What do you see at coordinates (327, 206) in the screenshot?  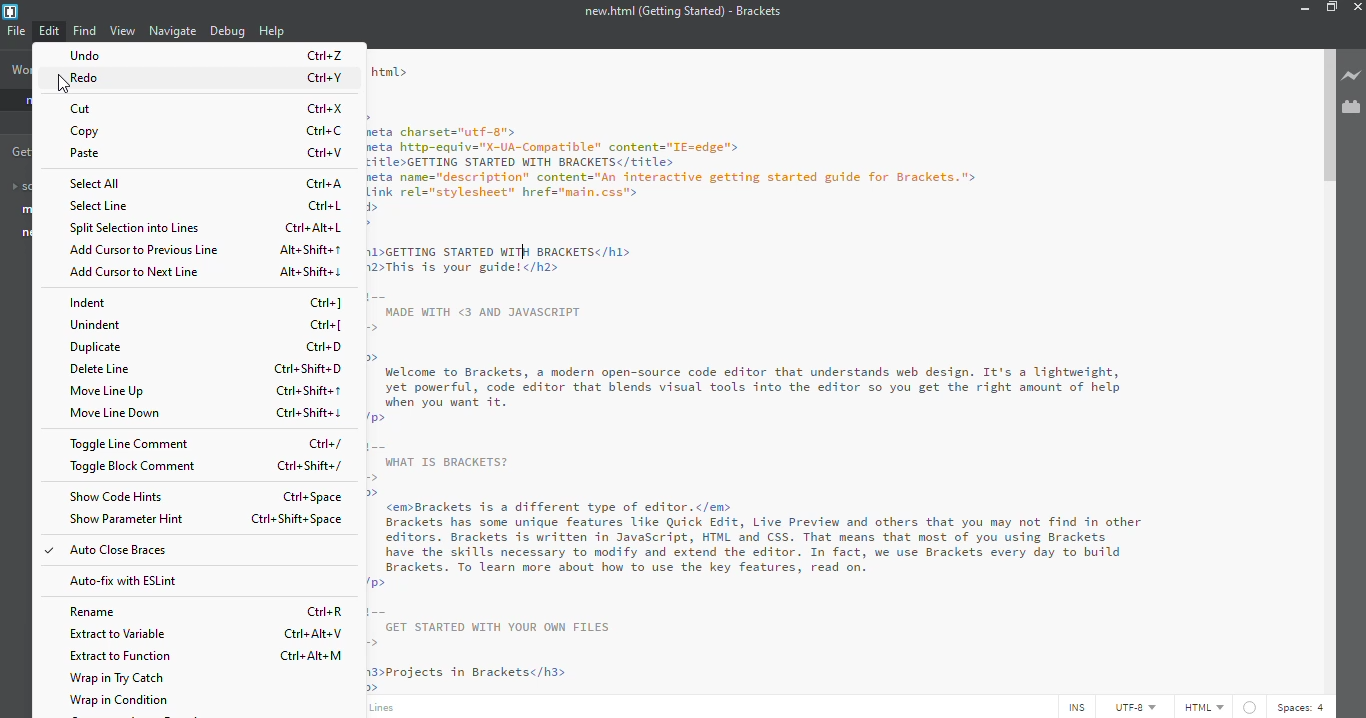 I see `ctrl+l` at bounding box center [327, 206].